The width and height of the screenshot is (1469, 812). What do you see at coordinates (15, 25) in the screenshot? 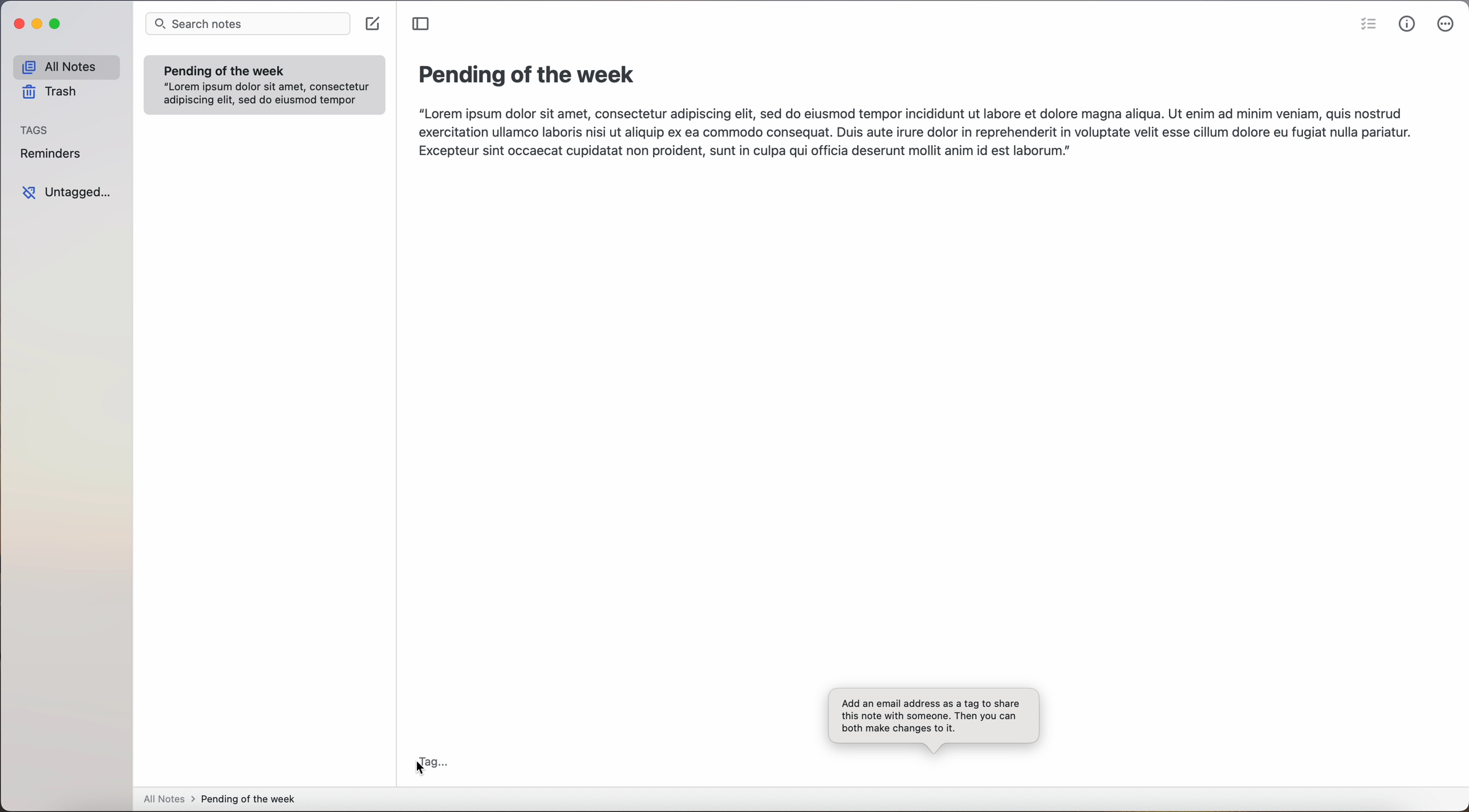
I see `close app` at bounding box center [15, 25].